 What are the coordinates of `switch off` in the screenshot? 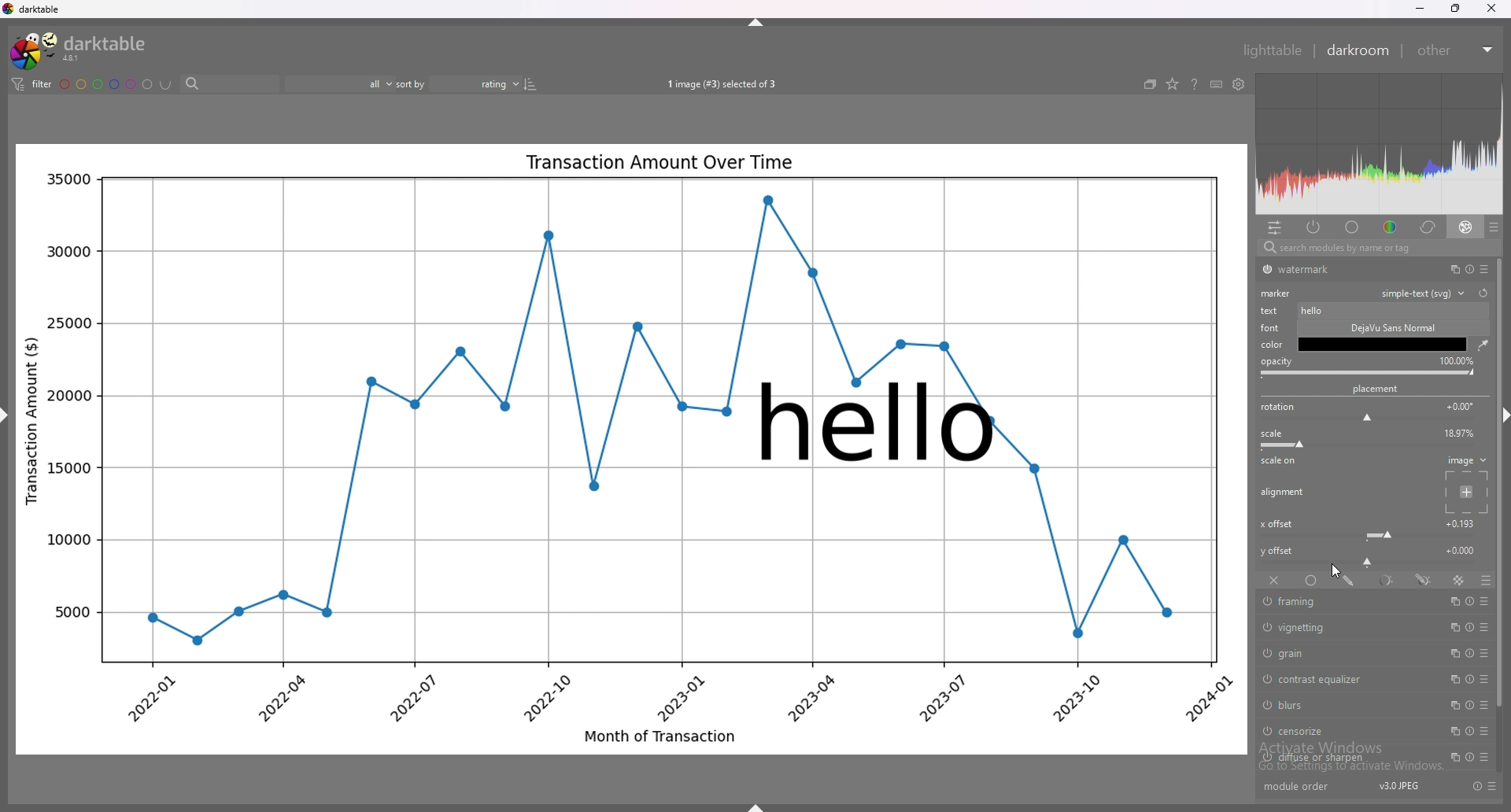 It's located at (1266, 603).